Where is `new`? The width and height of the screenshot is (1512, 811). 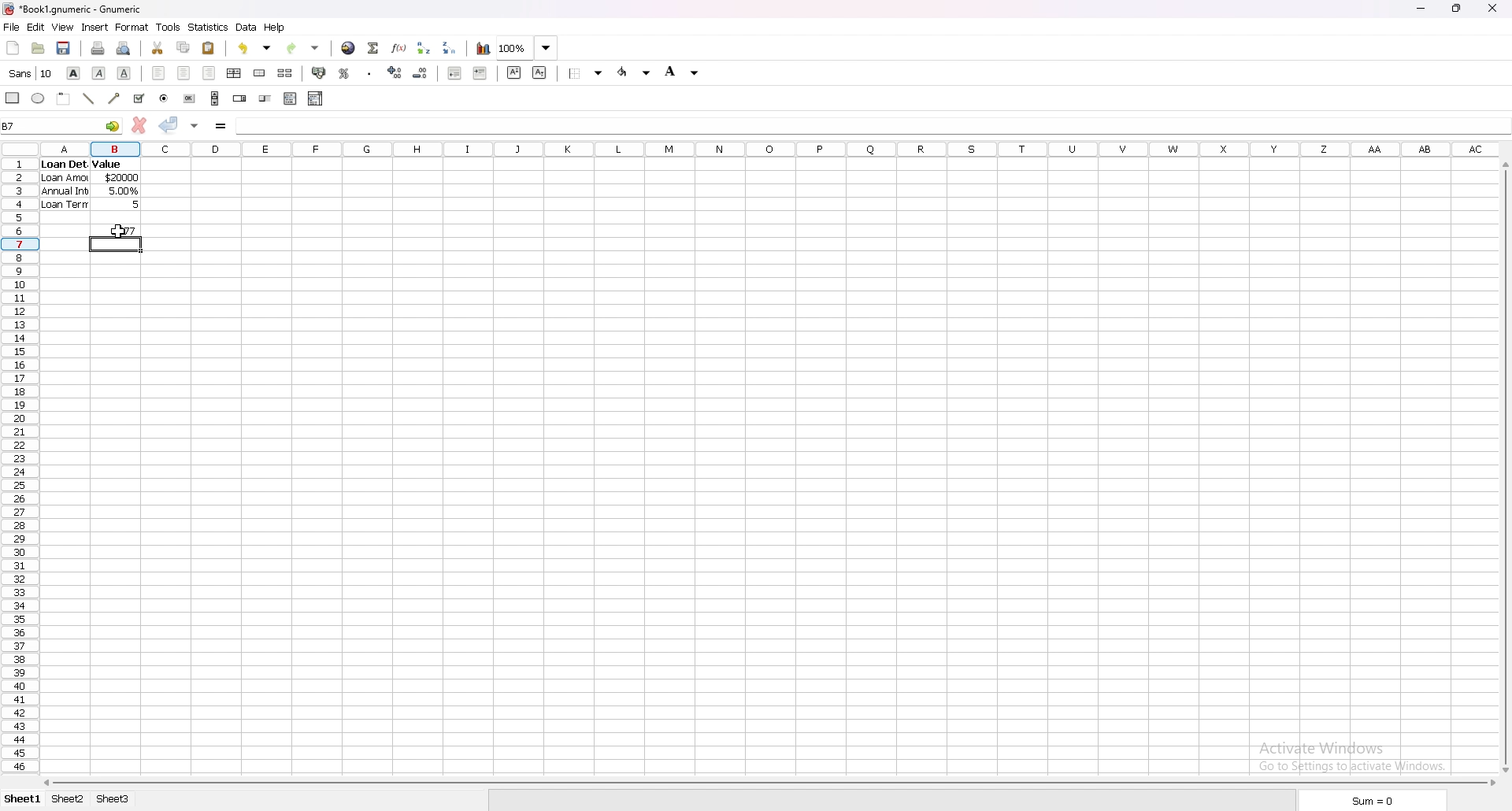 new is located at coordinates (13, 47).